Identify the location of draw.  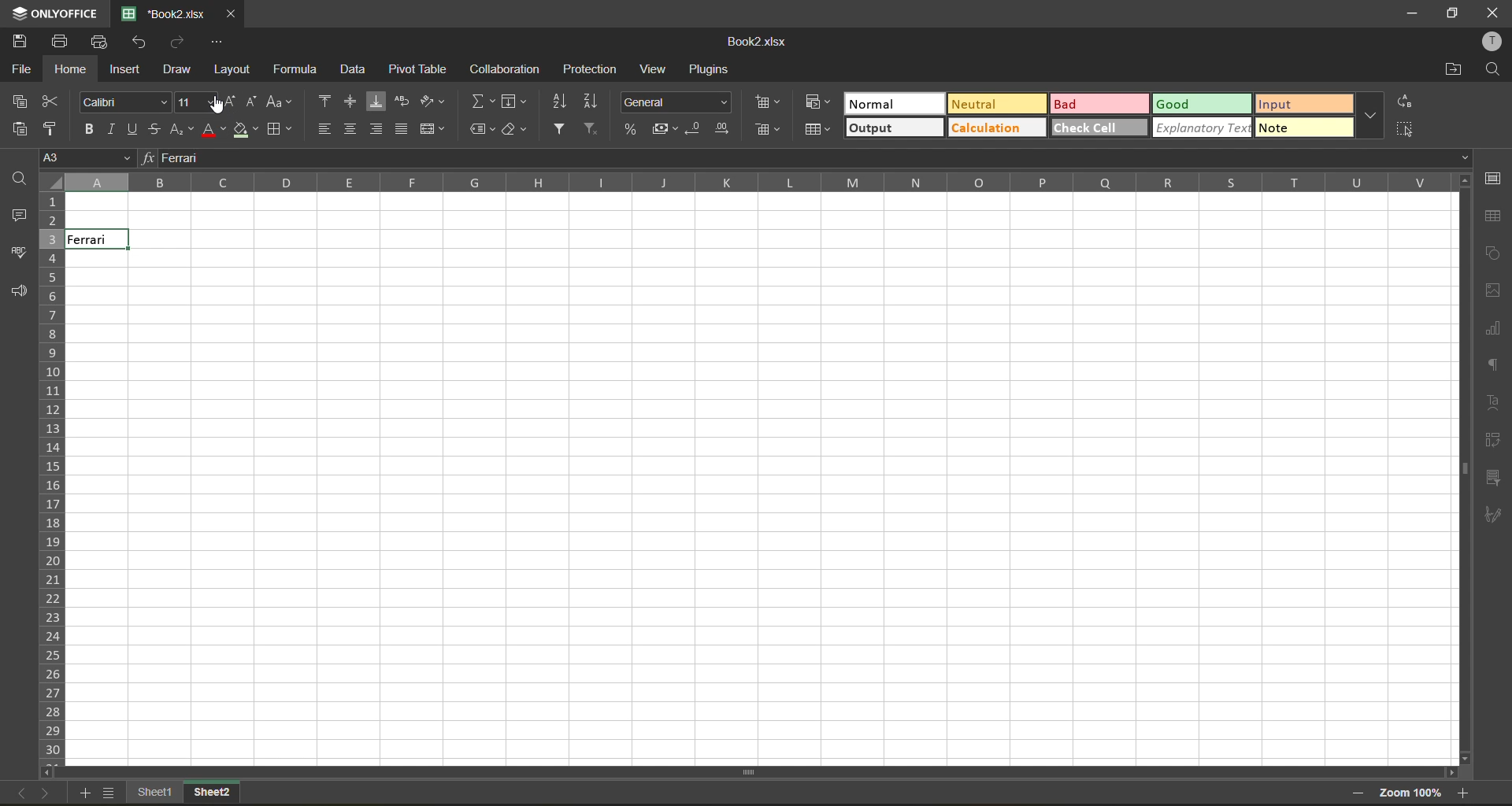
(180, 70).